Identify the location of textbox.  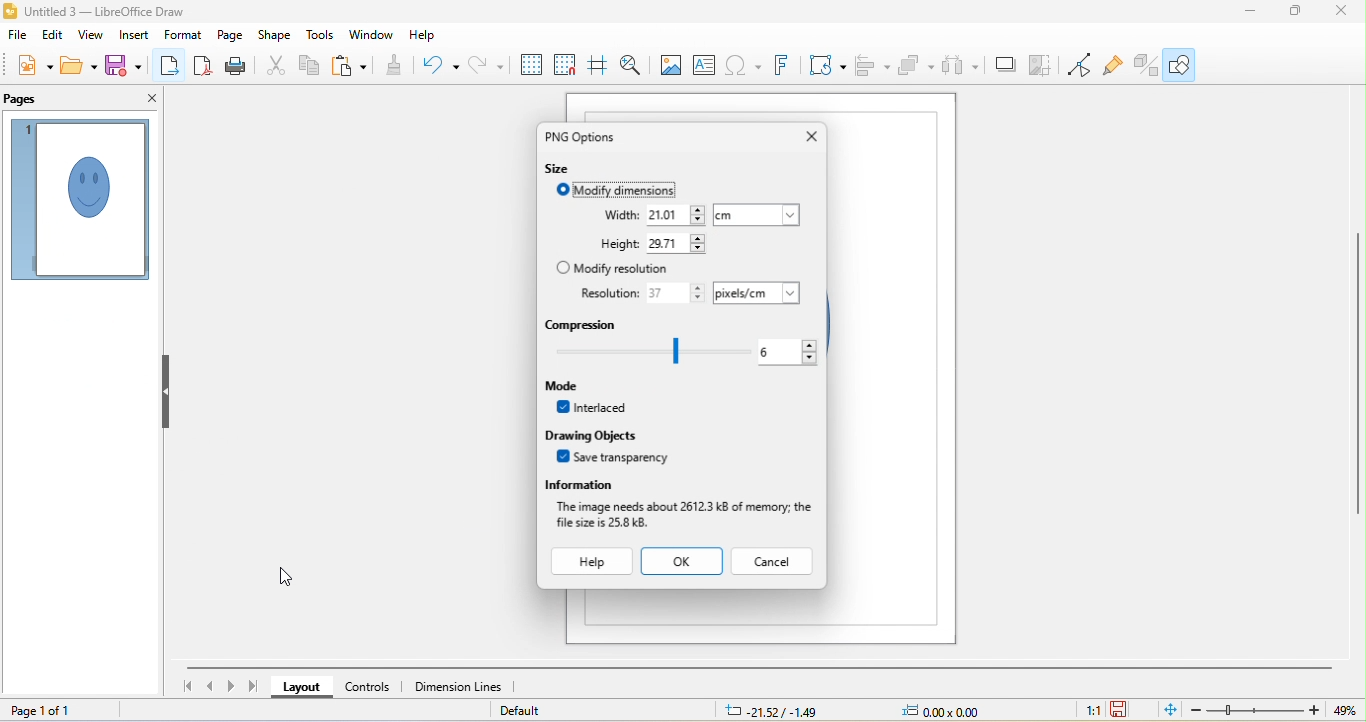
(704, 66).